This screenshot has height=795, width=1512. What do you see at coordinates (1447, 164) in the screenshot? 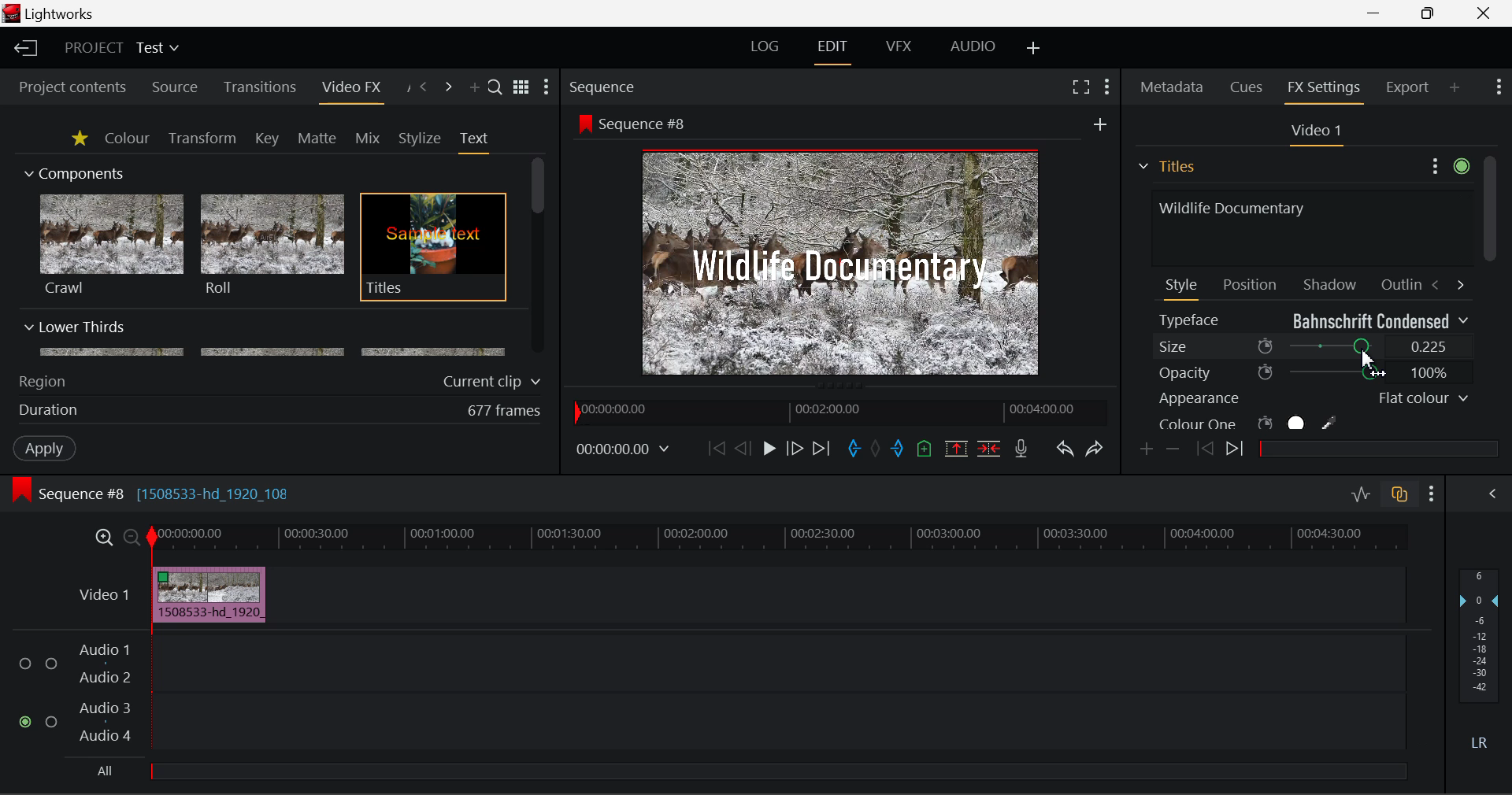
I see `Settings` at bounding box center [1447, 164].